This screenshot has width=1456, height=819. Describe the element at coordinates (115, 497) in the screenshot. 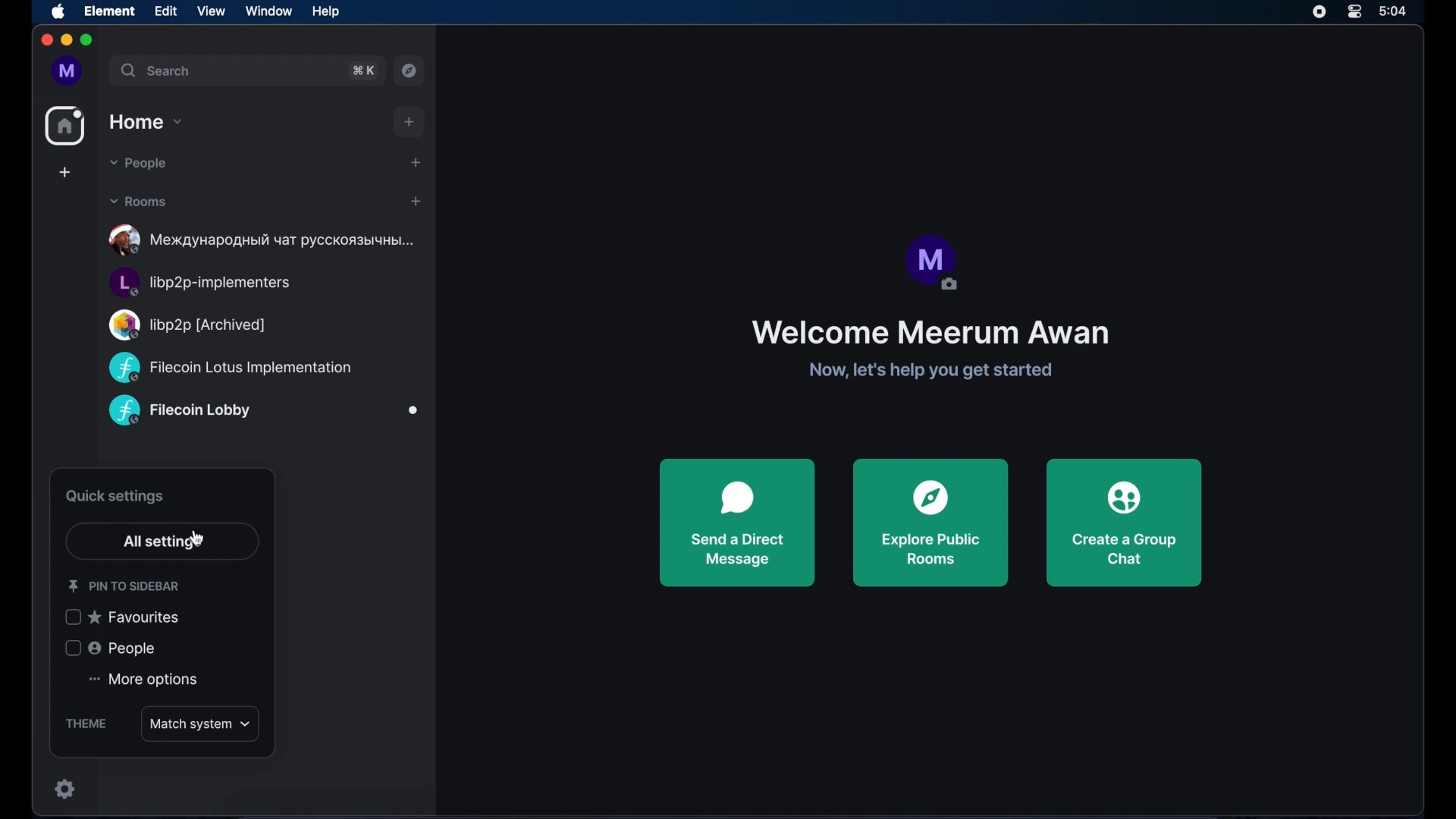

I see `quick settings` at that location.